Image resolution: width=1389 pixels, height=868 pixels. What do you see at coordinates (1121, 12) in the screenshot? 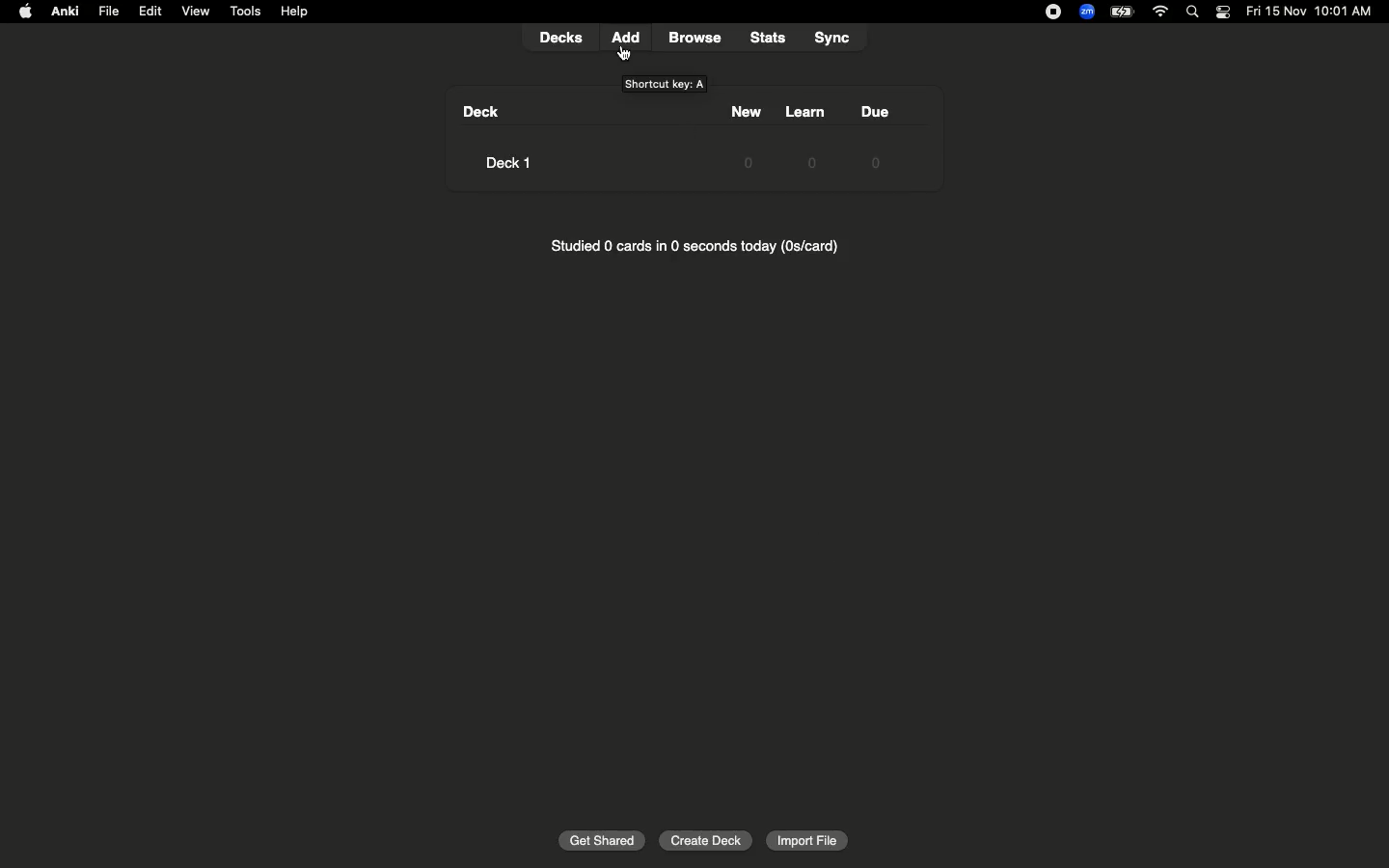
I see `Charge` at bounding box center [1121, 12].